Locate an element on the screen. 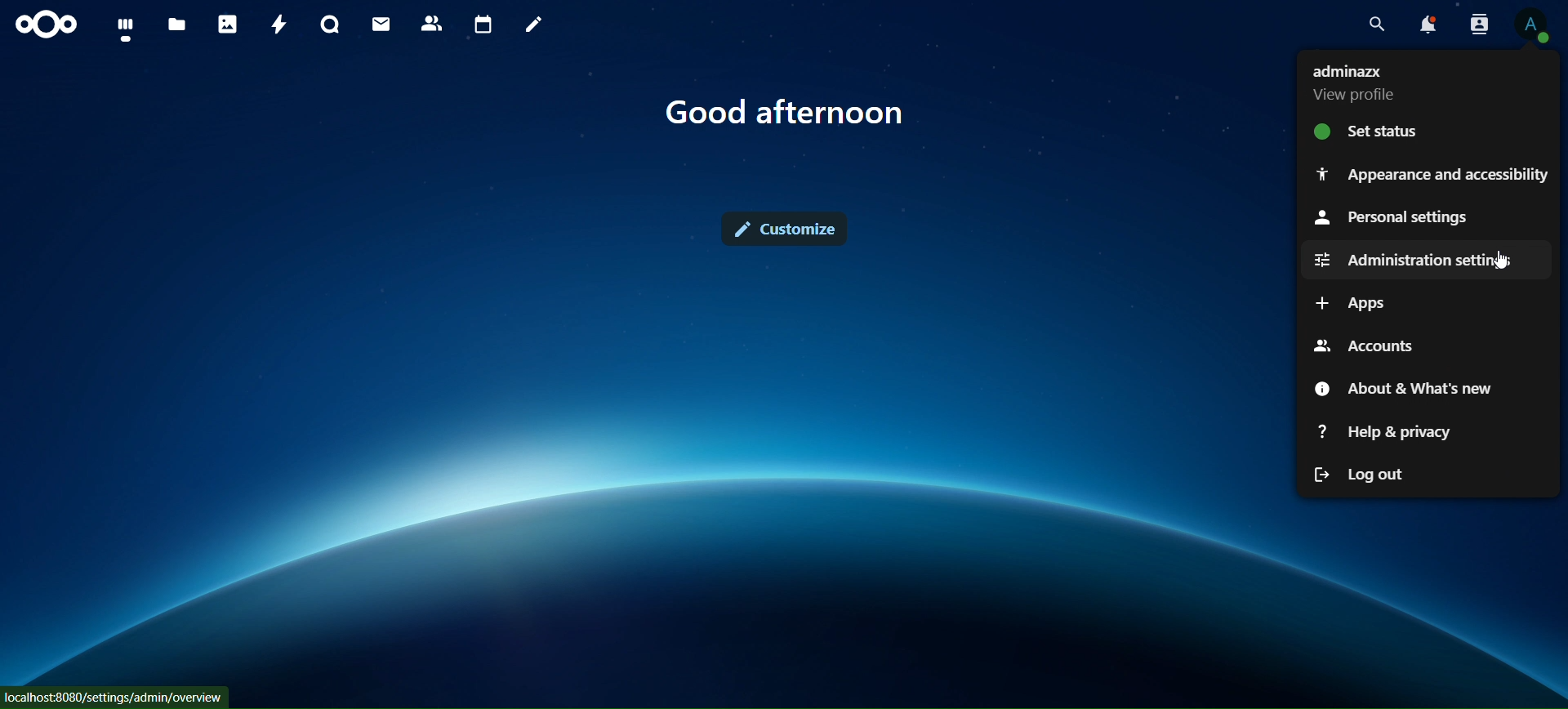 The width and height of the screenshot is (1568, 709). icon is located at coordinates (44, 26).